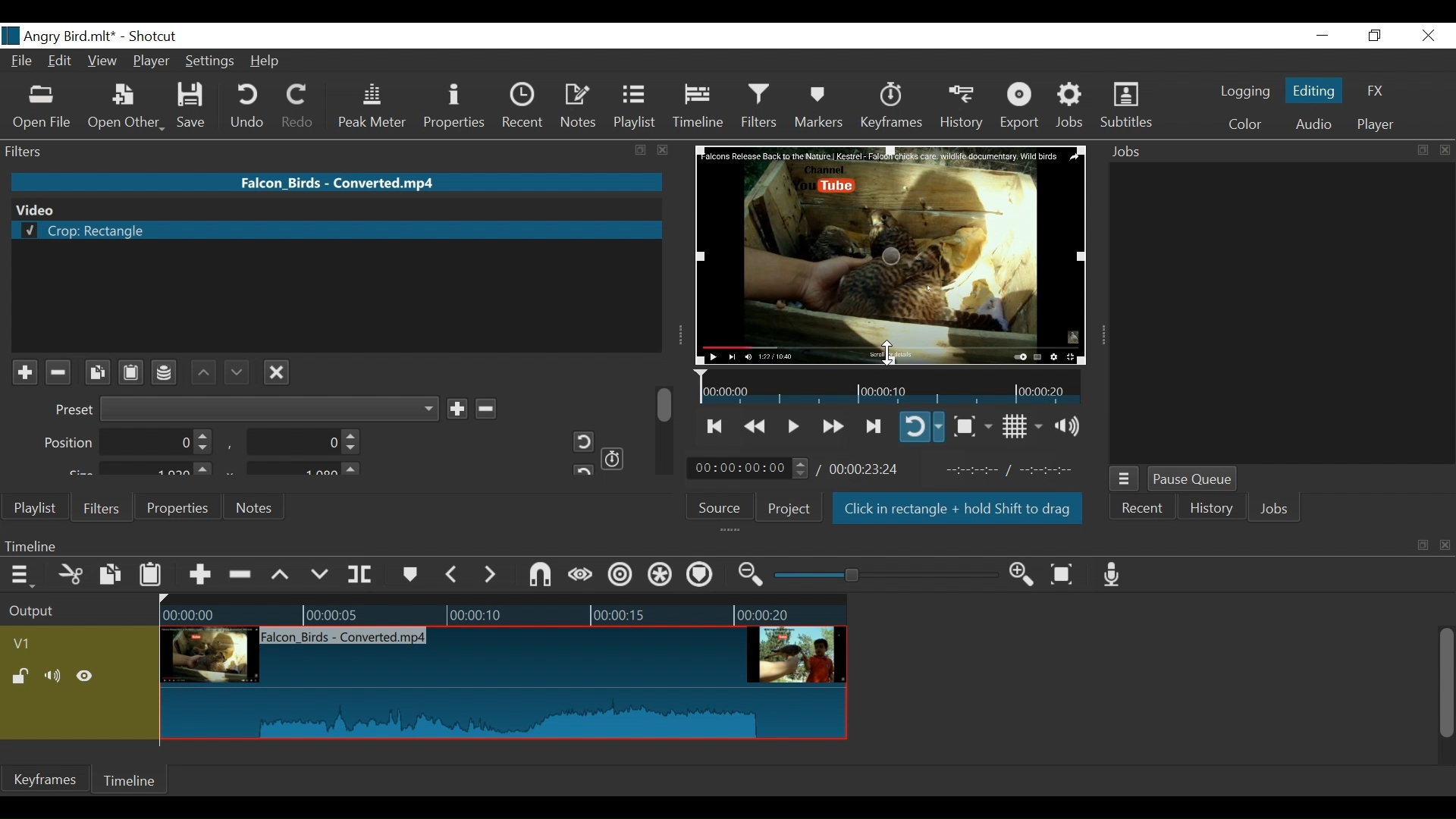 The height and width of the screenshot is (819, 1456). Describe the element at coordinates (409, 575) in the screenshot. I see `Markers` at that location.